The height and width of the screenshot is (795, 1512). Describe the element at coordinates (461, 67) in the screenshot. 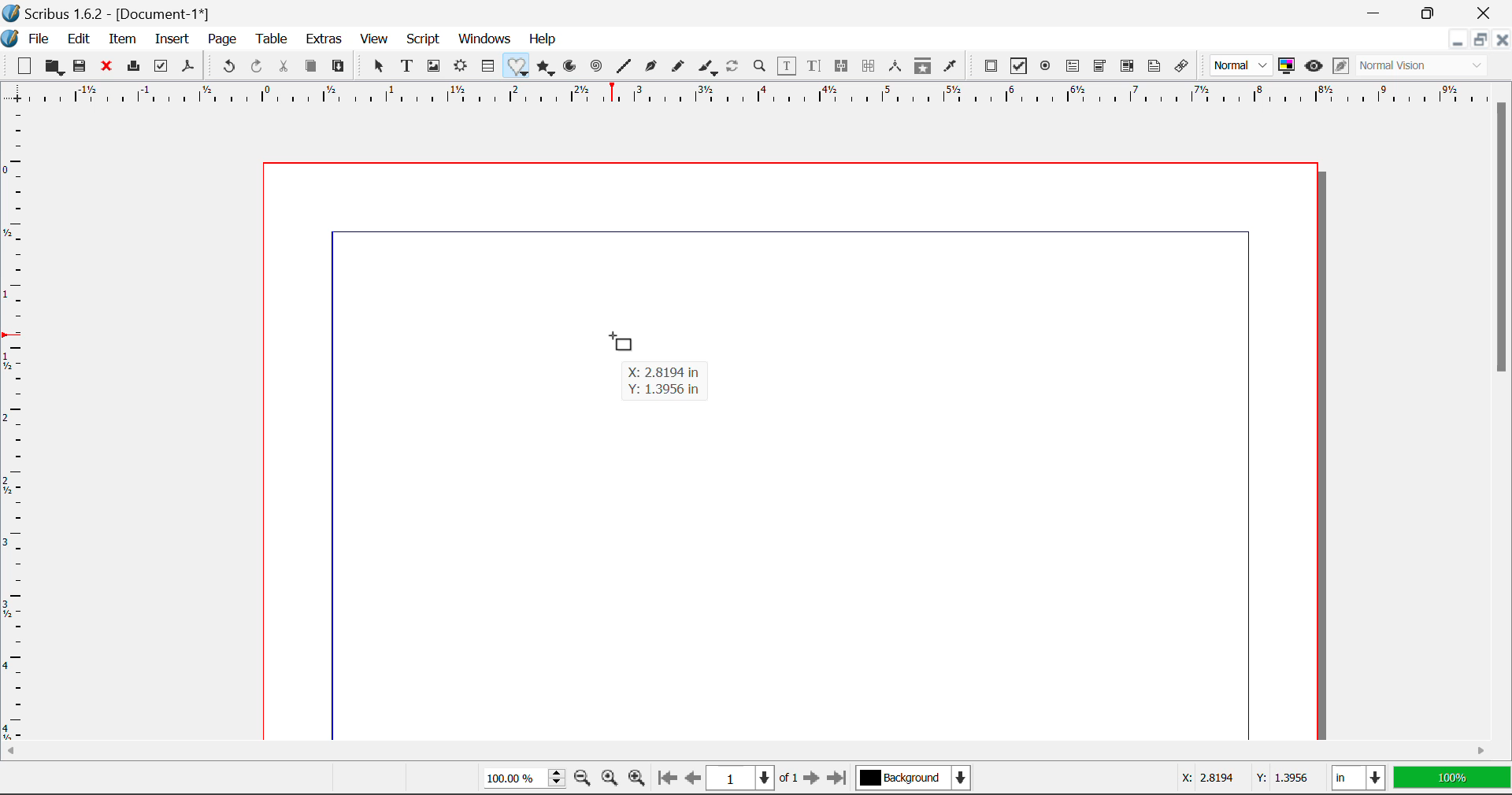

I see `Render Frame` at that location.